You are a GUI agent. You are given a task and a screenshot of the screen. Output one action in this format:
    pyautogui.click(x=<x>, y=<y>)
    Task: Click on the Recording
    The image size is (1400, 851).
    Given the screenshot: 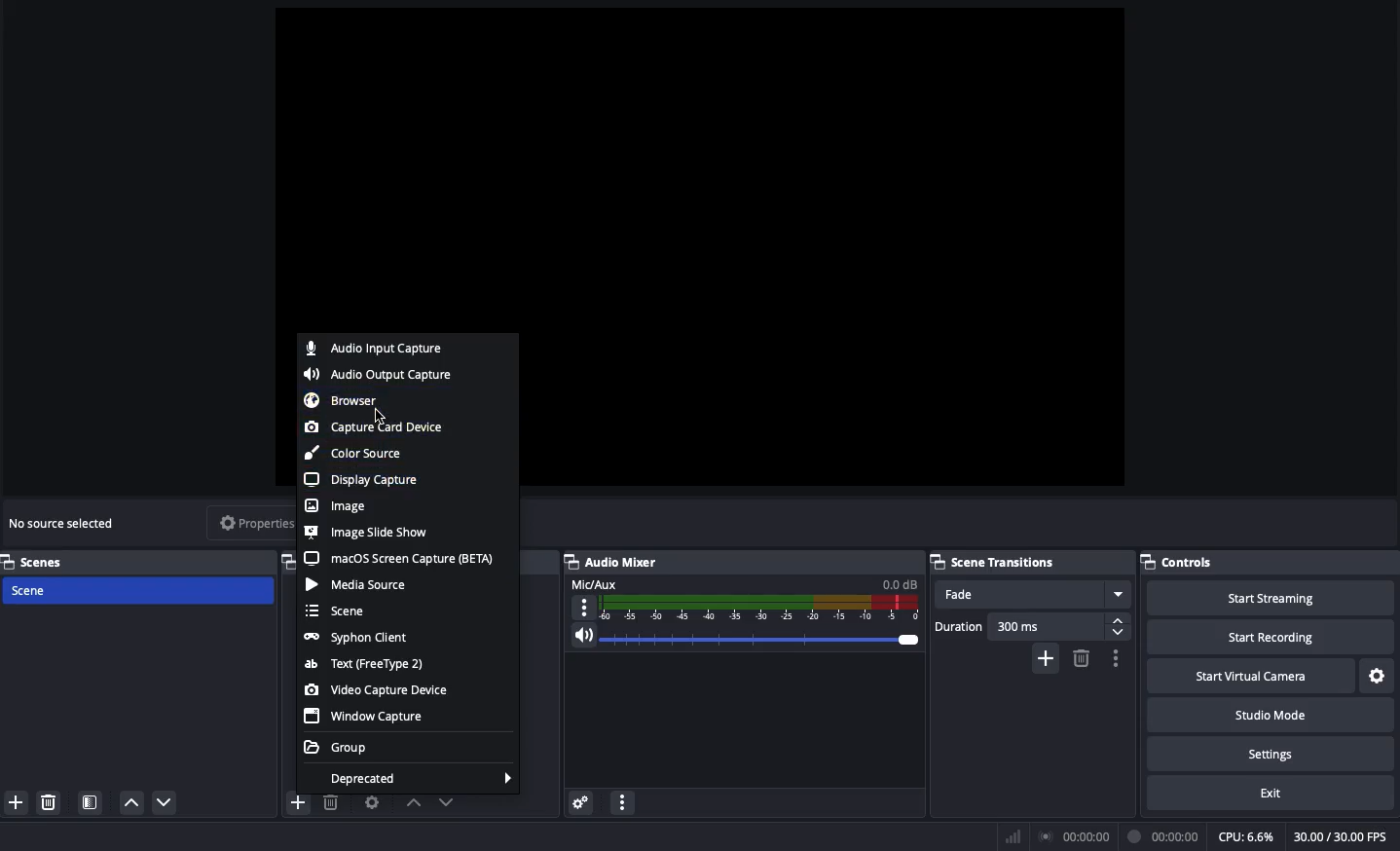 What is the action you would take?
    pyautogui.click(x=1161, y=836)
    